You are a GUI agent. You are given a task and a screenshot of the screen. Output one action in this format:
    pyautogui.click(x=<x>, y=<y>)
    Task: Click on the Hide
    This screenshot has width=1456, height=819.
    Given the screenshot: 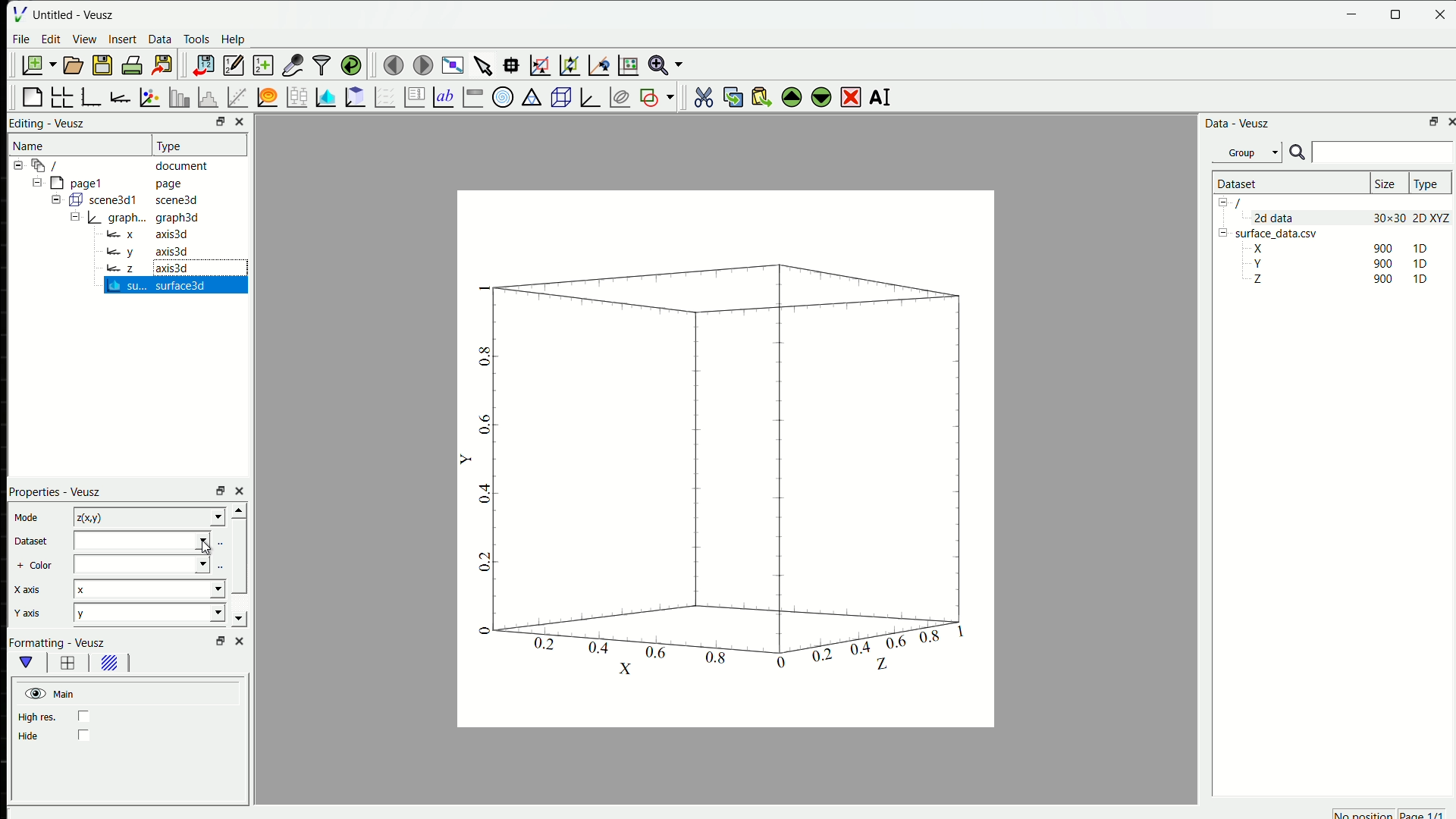 What is the action you would take?
    pyautogui.click(x=30, y=736)
    